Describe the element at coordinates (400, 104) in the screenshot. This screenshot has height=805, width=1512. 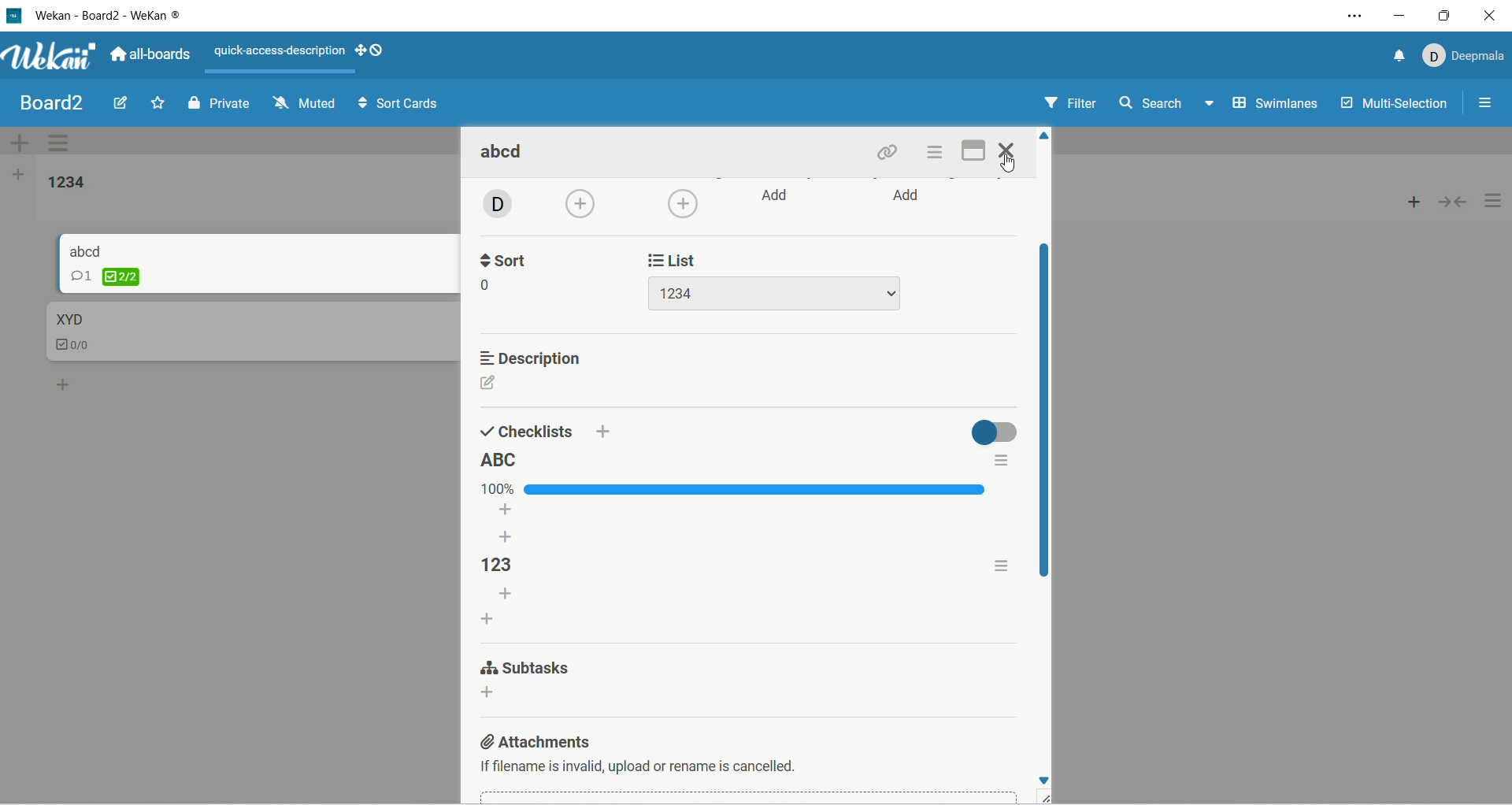
I see `sort cards` at that location.